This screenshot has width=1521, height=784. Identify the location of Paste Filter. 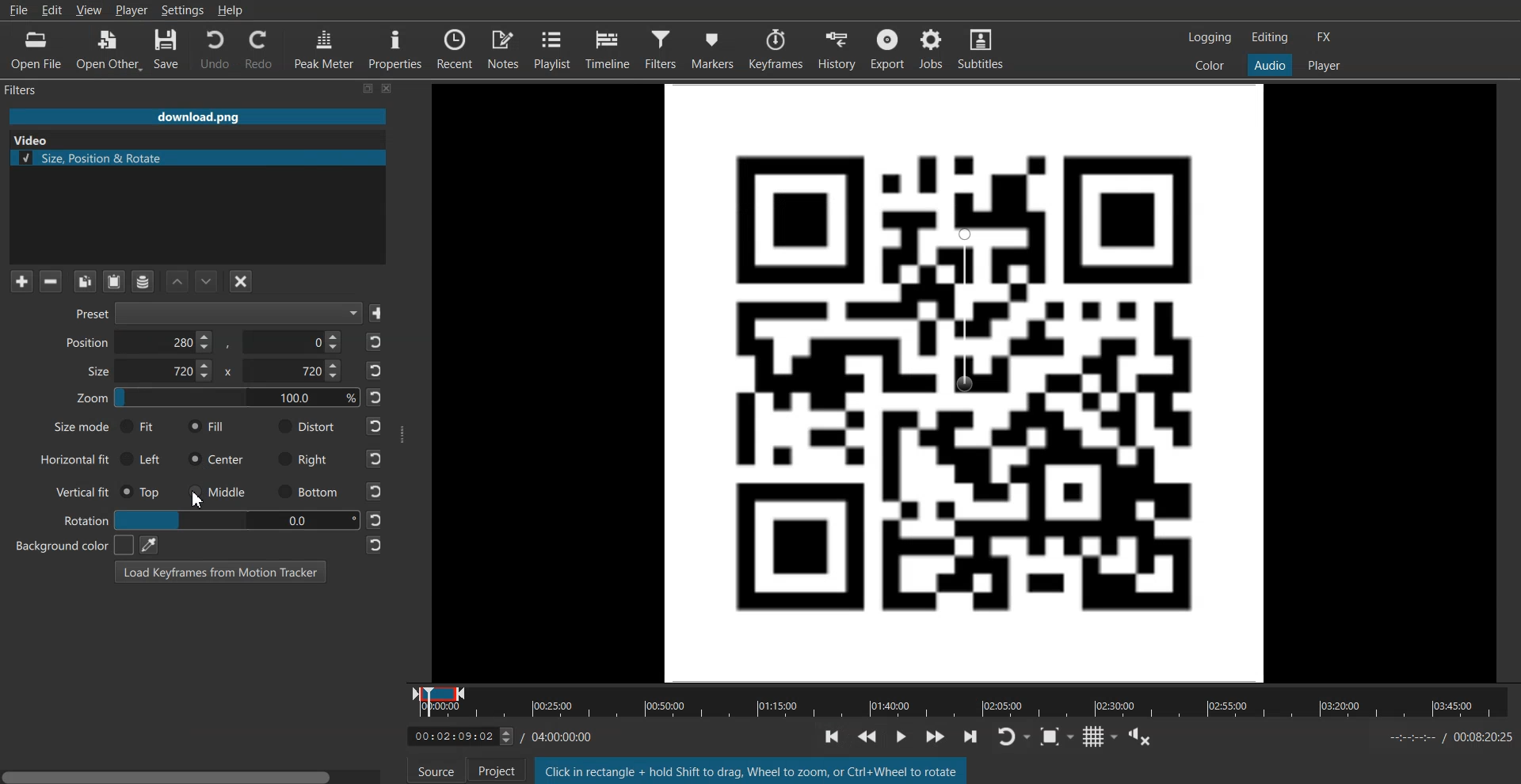
(116, 280).